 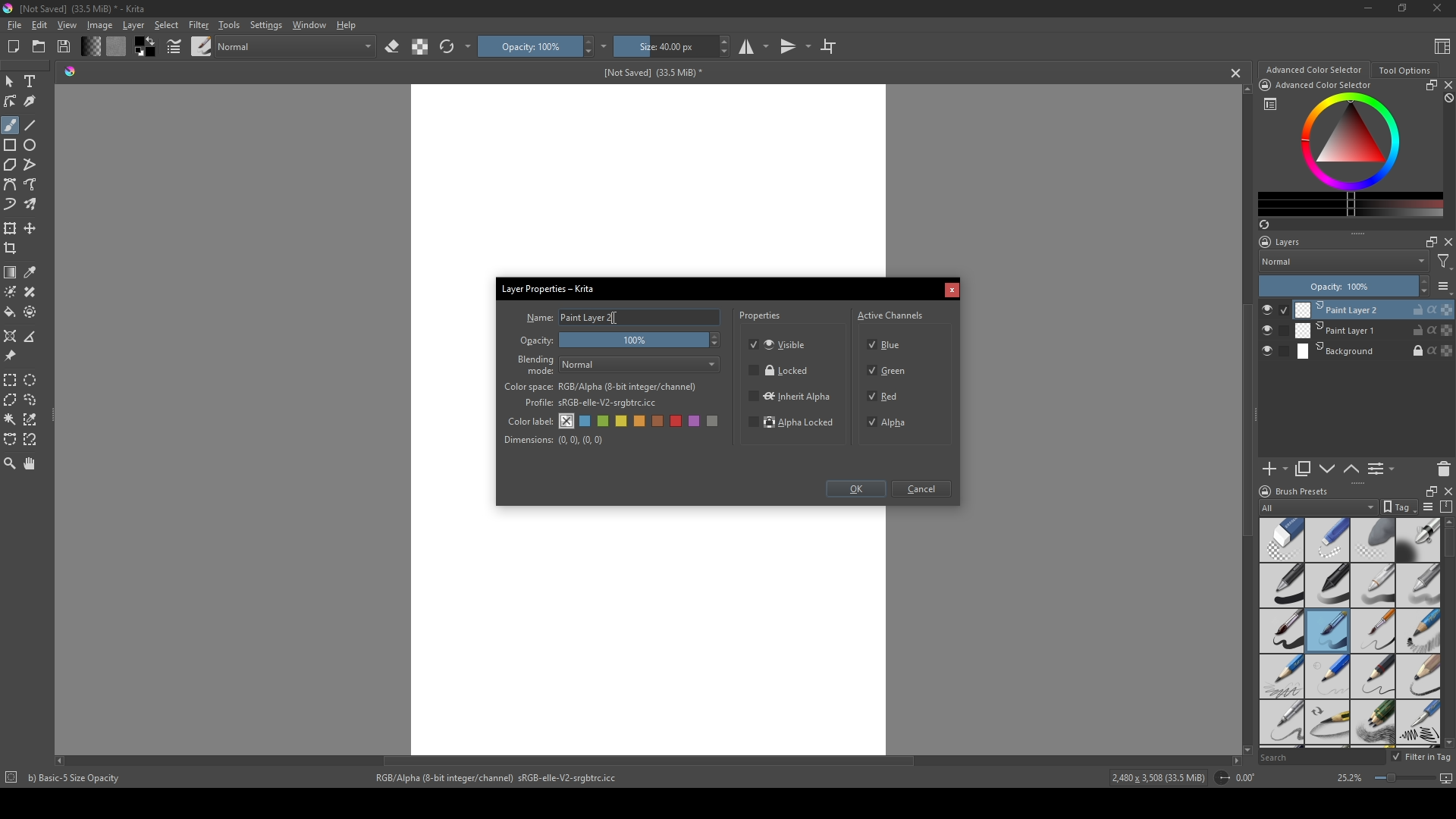 What do you see at coordinates (30, 228) in the screenshot?
I see `move layer` at bounding box center [30, 228].